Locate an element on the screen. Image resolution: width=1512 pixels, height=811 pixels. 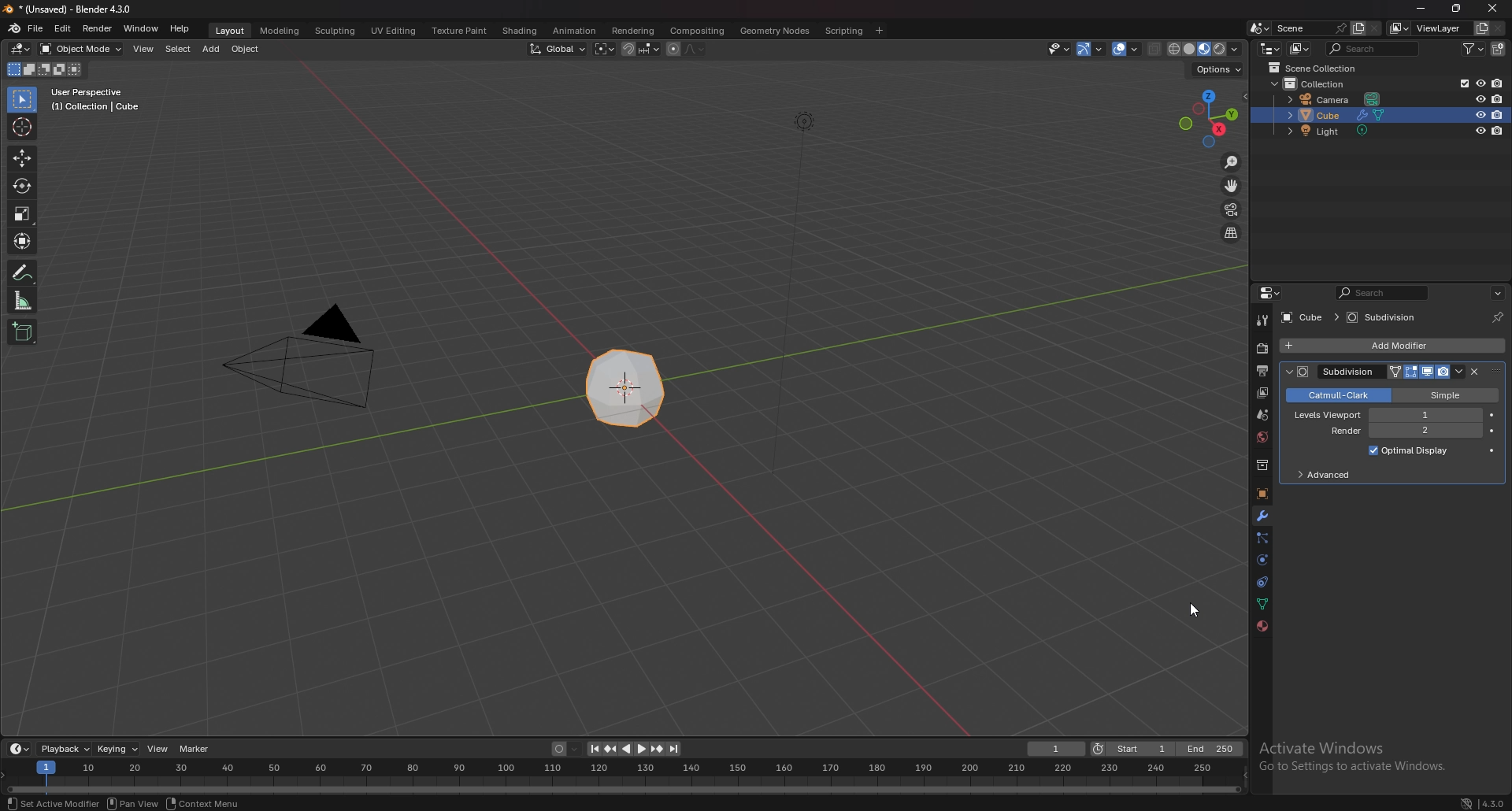
jump to keyframe is located at coordinates (658, 749).